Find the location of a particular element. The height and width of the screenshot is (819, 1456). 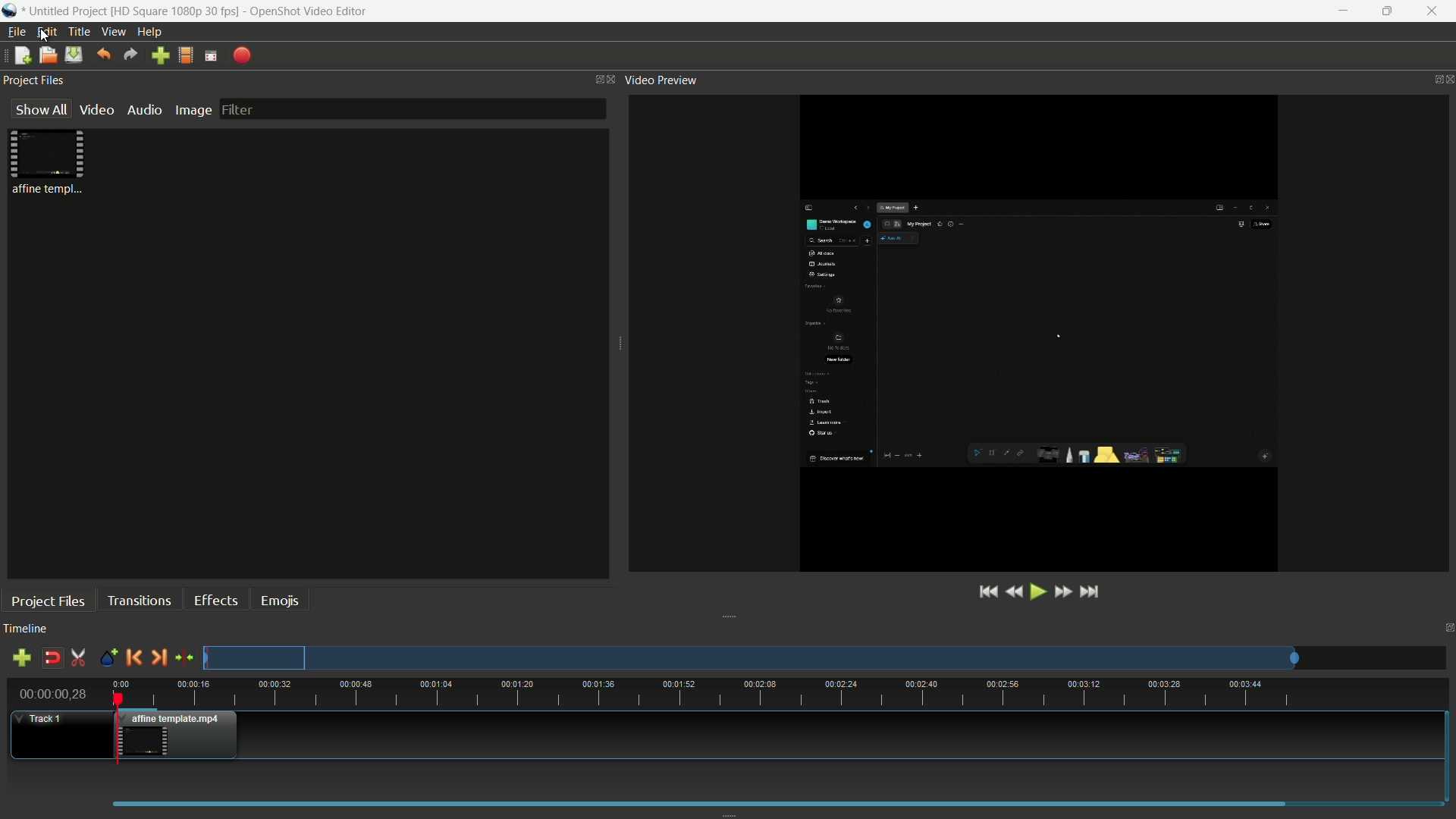

project name is located at coordinates (67, 12).